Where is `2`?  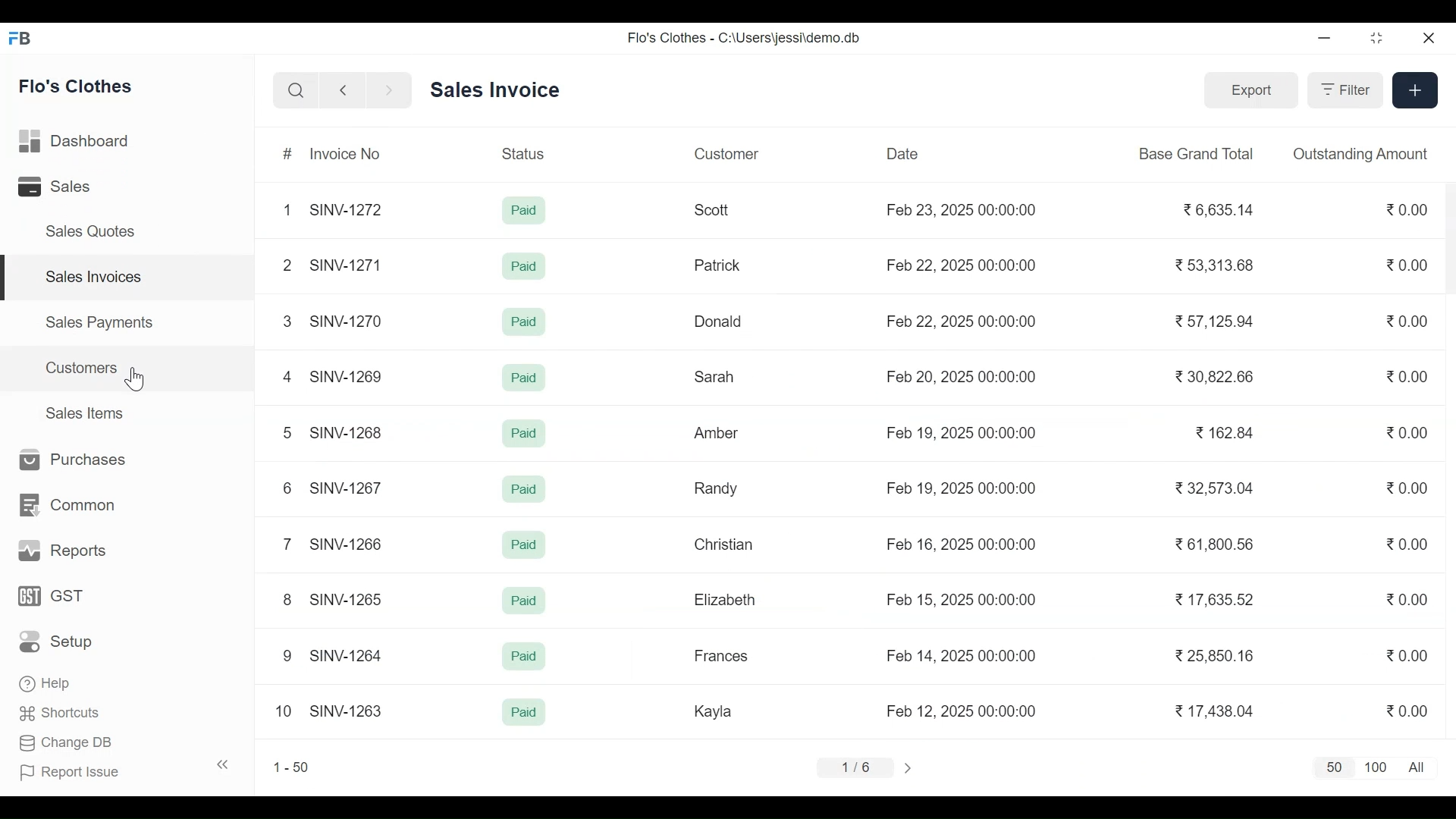 2 is located at coordinates (287, 264).